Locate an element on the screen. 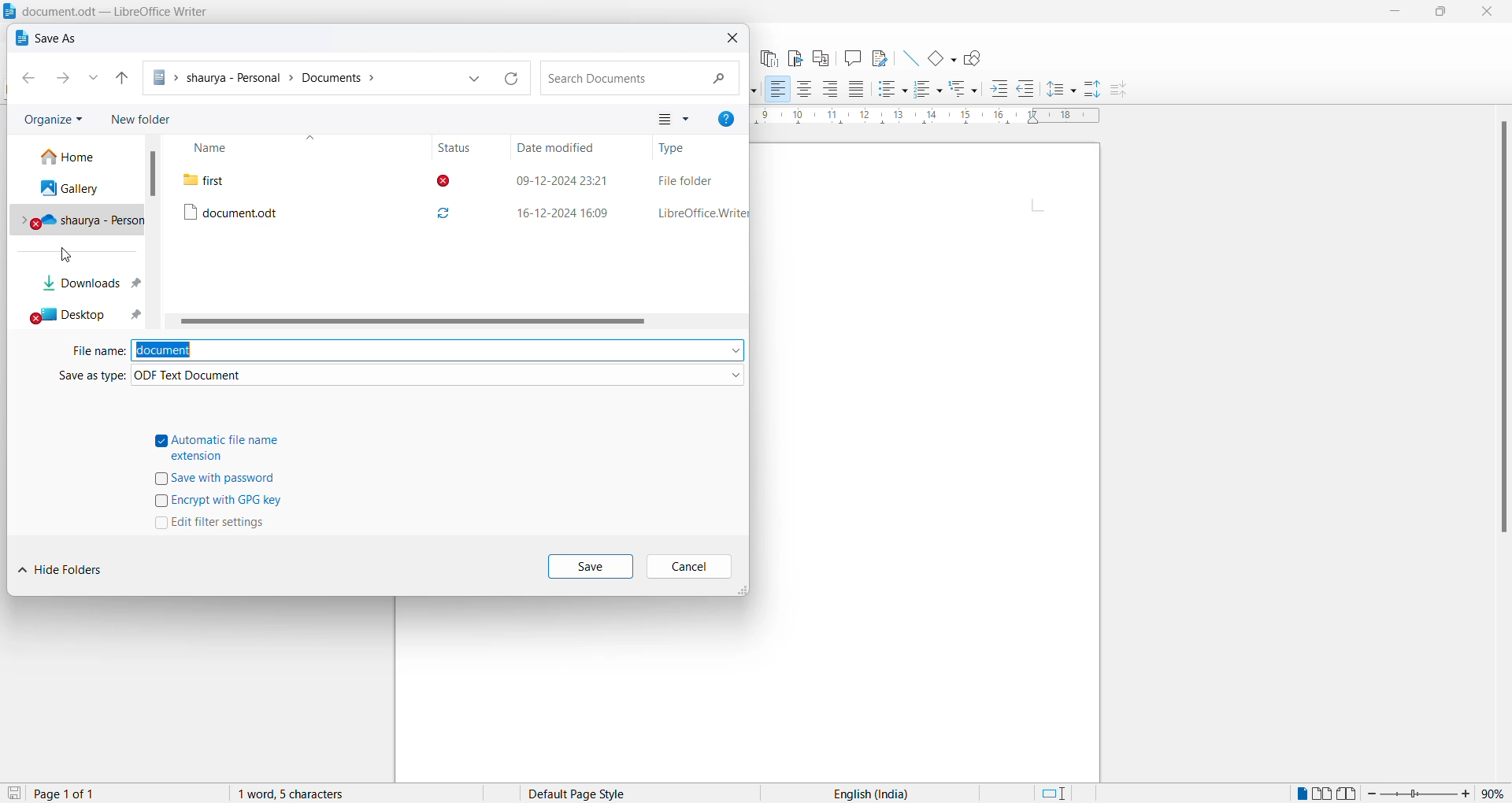 This screenshot has height=803, width=1512. New folder is located at coordinates (147, 115).